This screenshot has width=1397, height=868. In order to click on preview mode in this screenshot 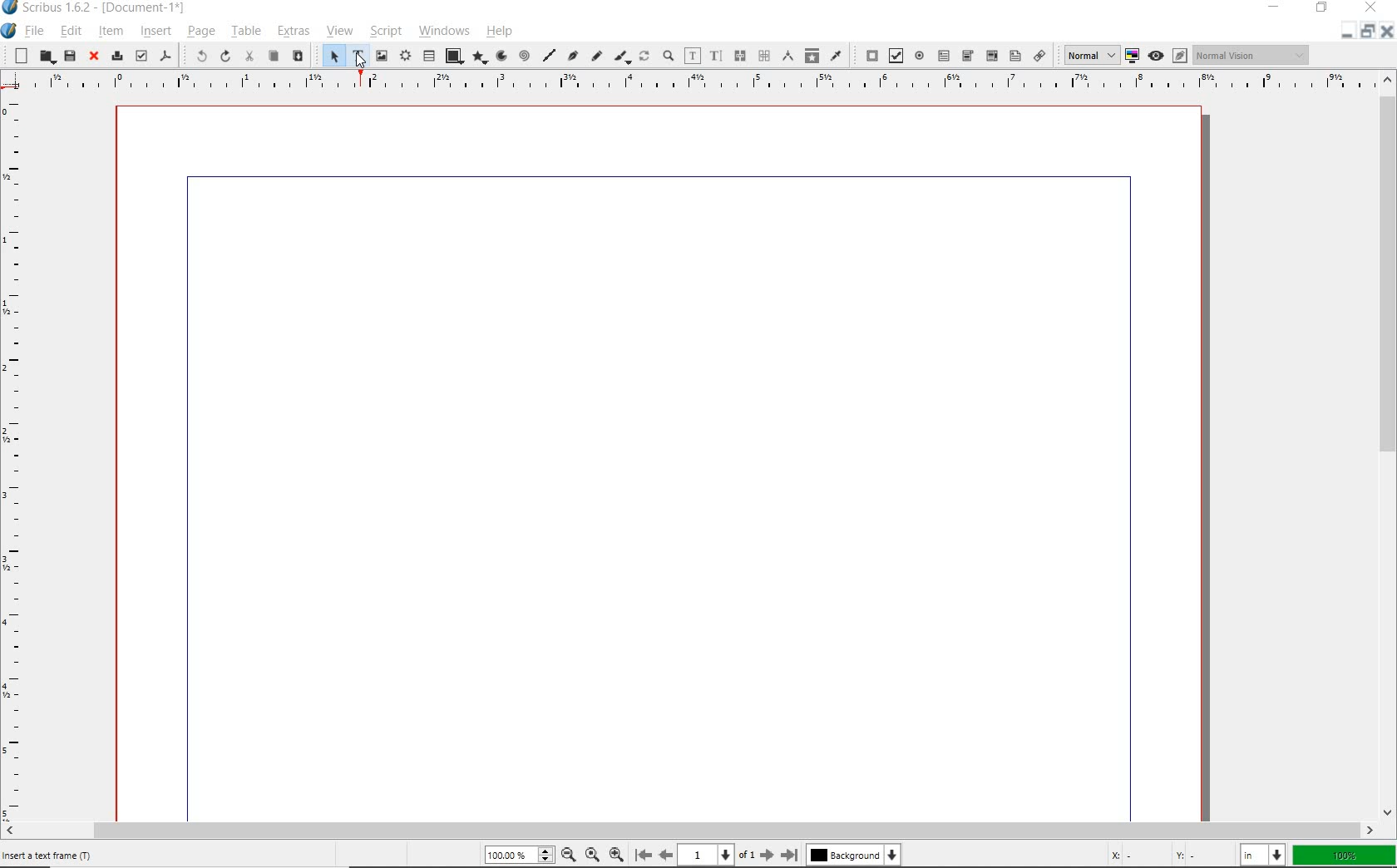, I will do `click(1156, 56)`.